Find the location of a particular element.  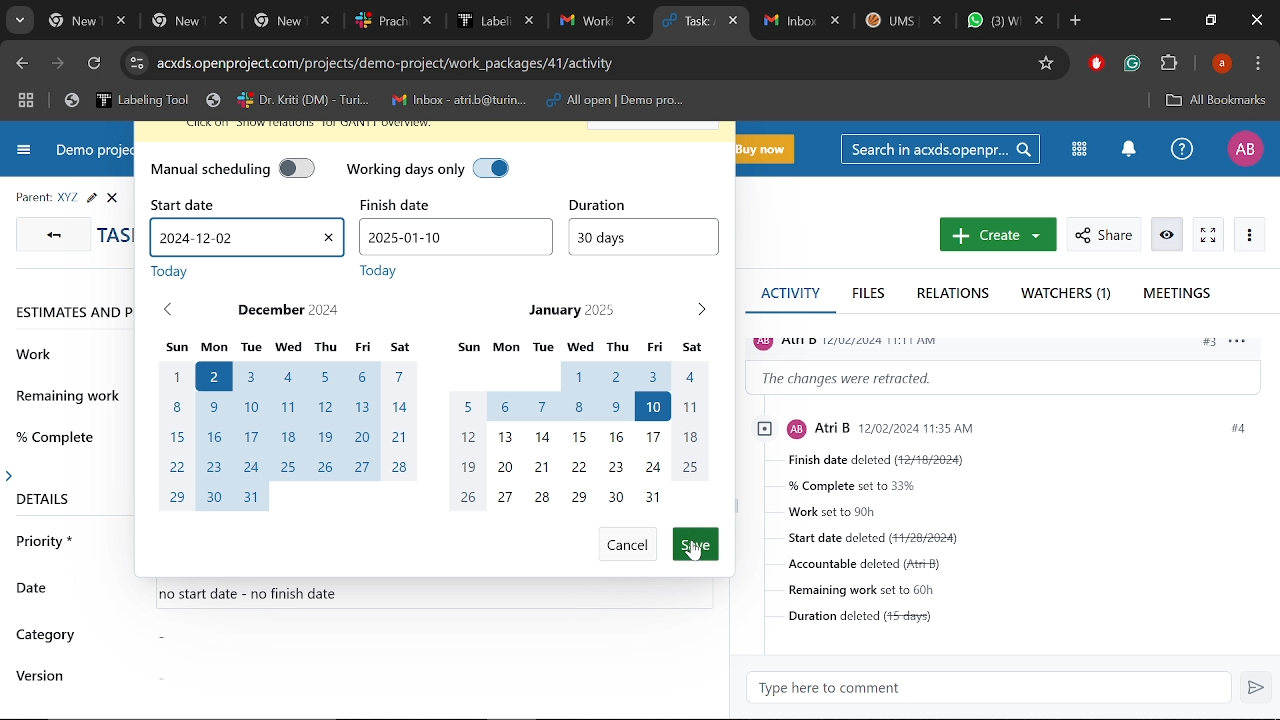

Minimize is located at coordinates (1165, 19).